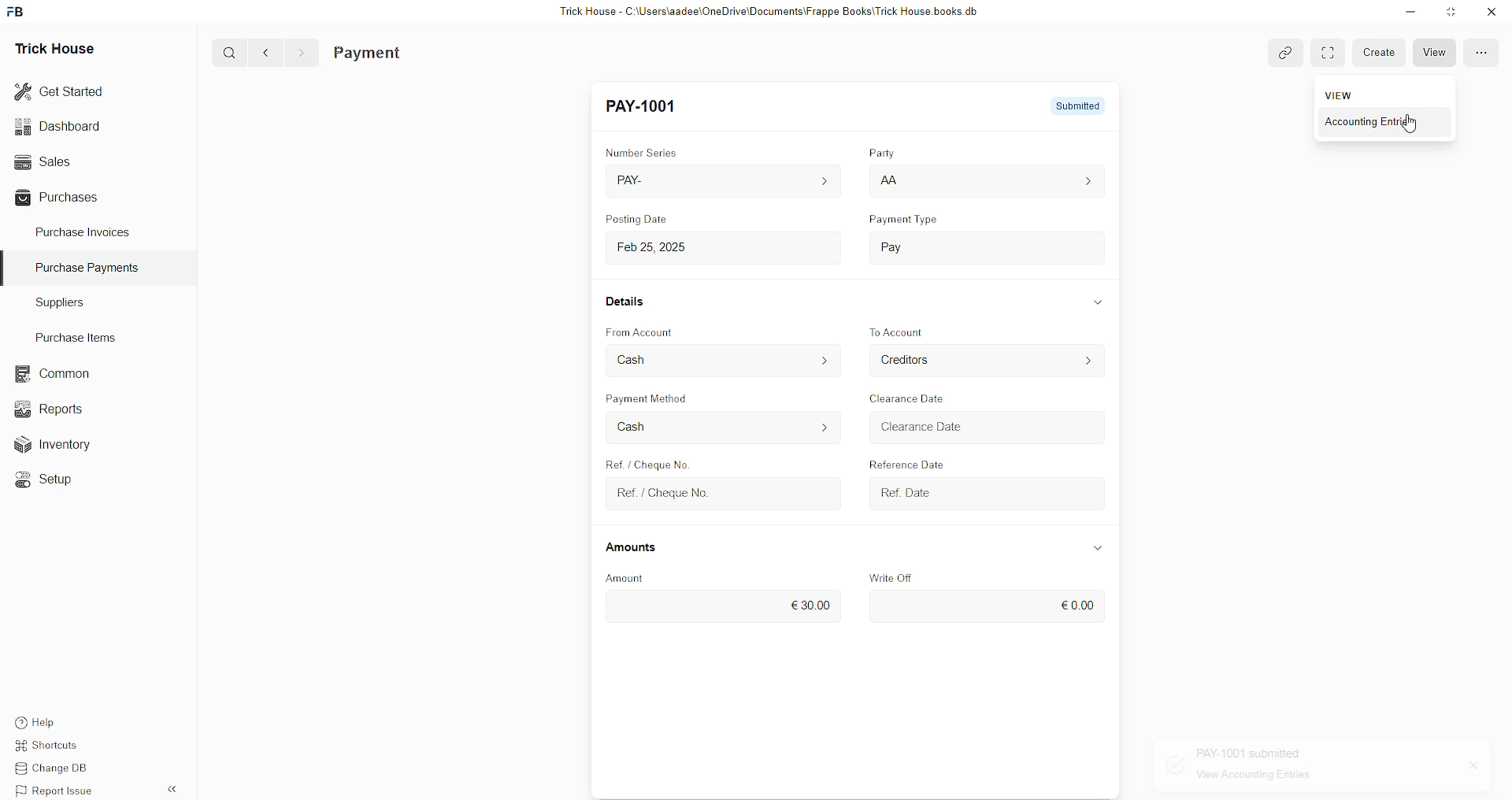 This screenshot has height=800, width=1512. Describe the element at coordinates (60, 90) in the screenshot. I see ` Get Started` at that location.